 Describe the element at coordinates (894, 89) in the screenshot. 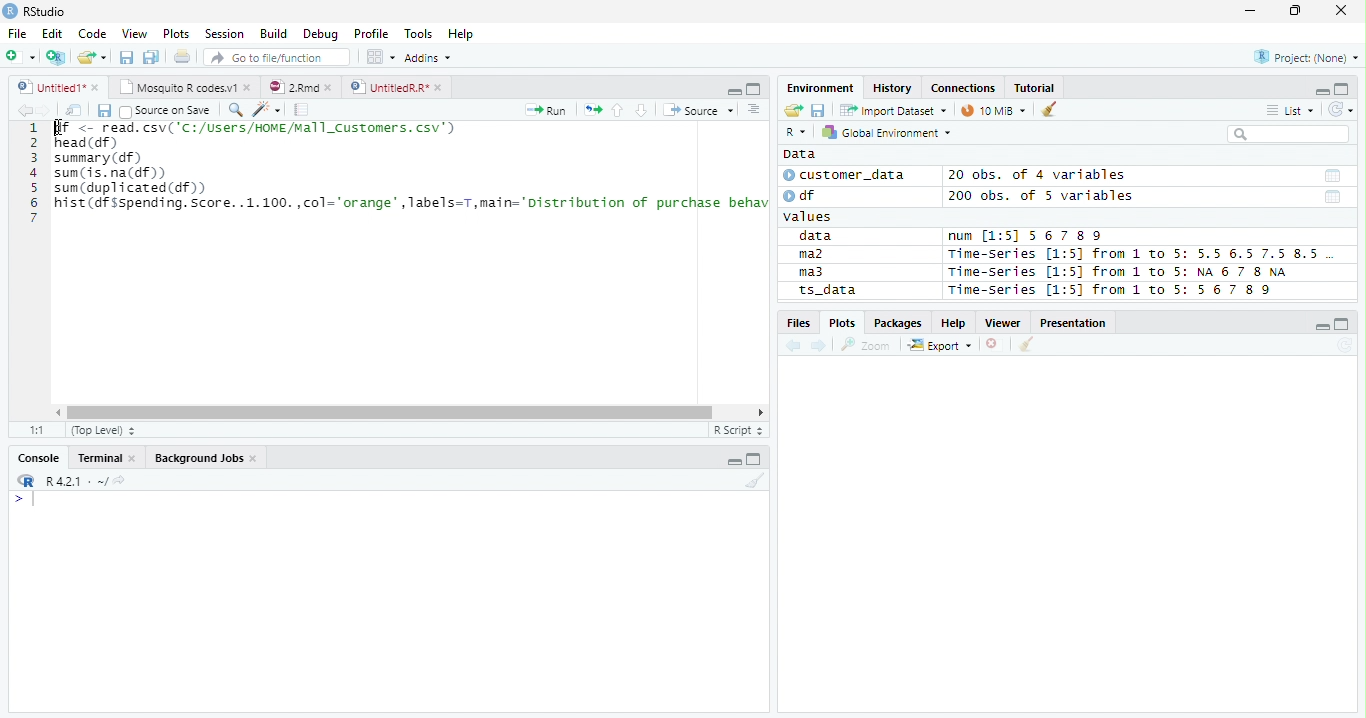

I see `History` at that location.